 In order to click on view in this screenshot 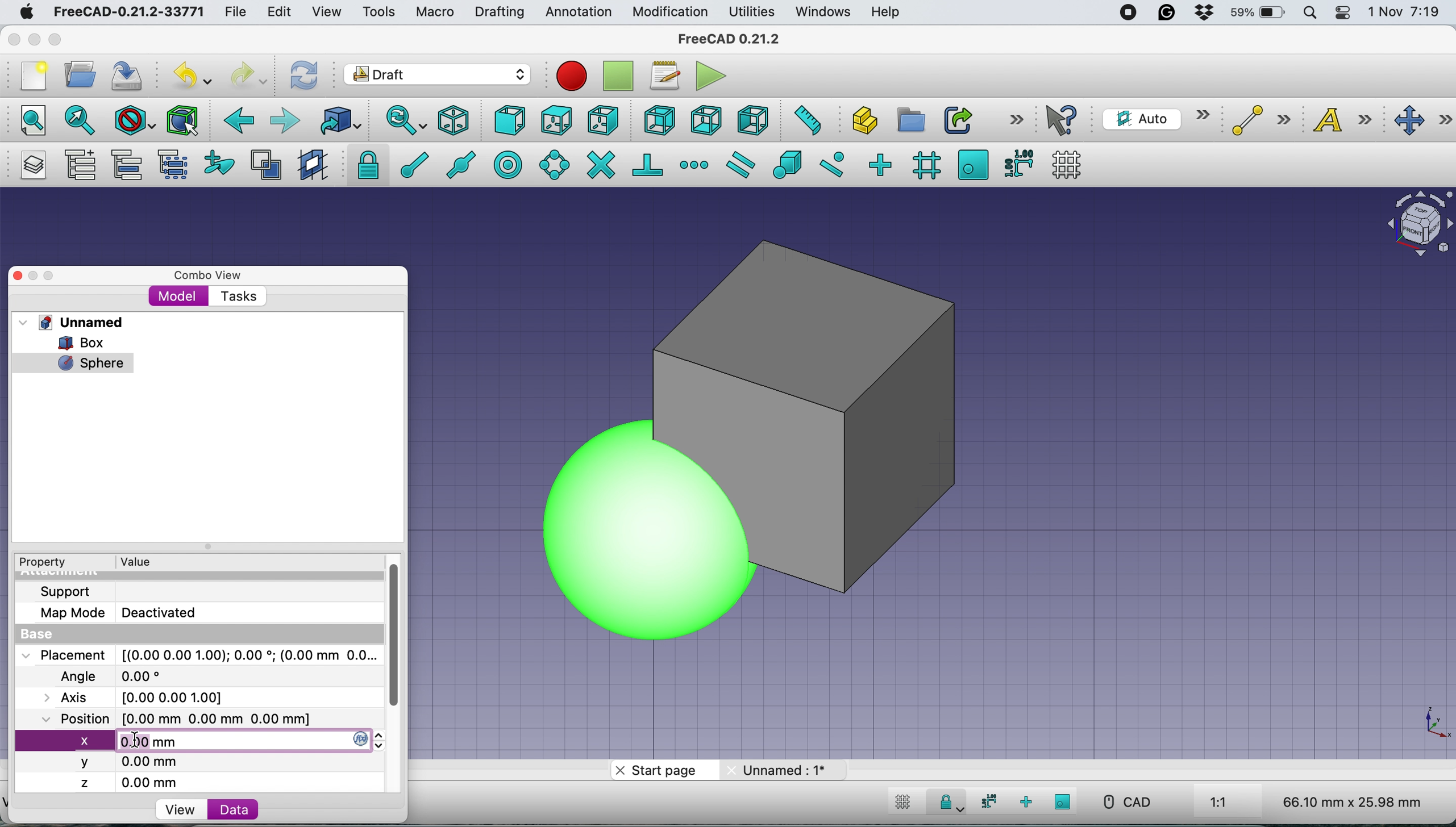, I will do `click(180, 810)`.